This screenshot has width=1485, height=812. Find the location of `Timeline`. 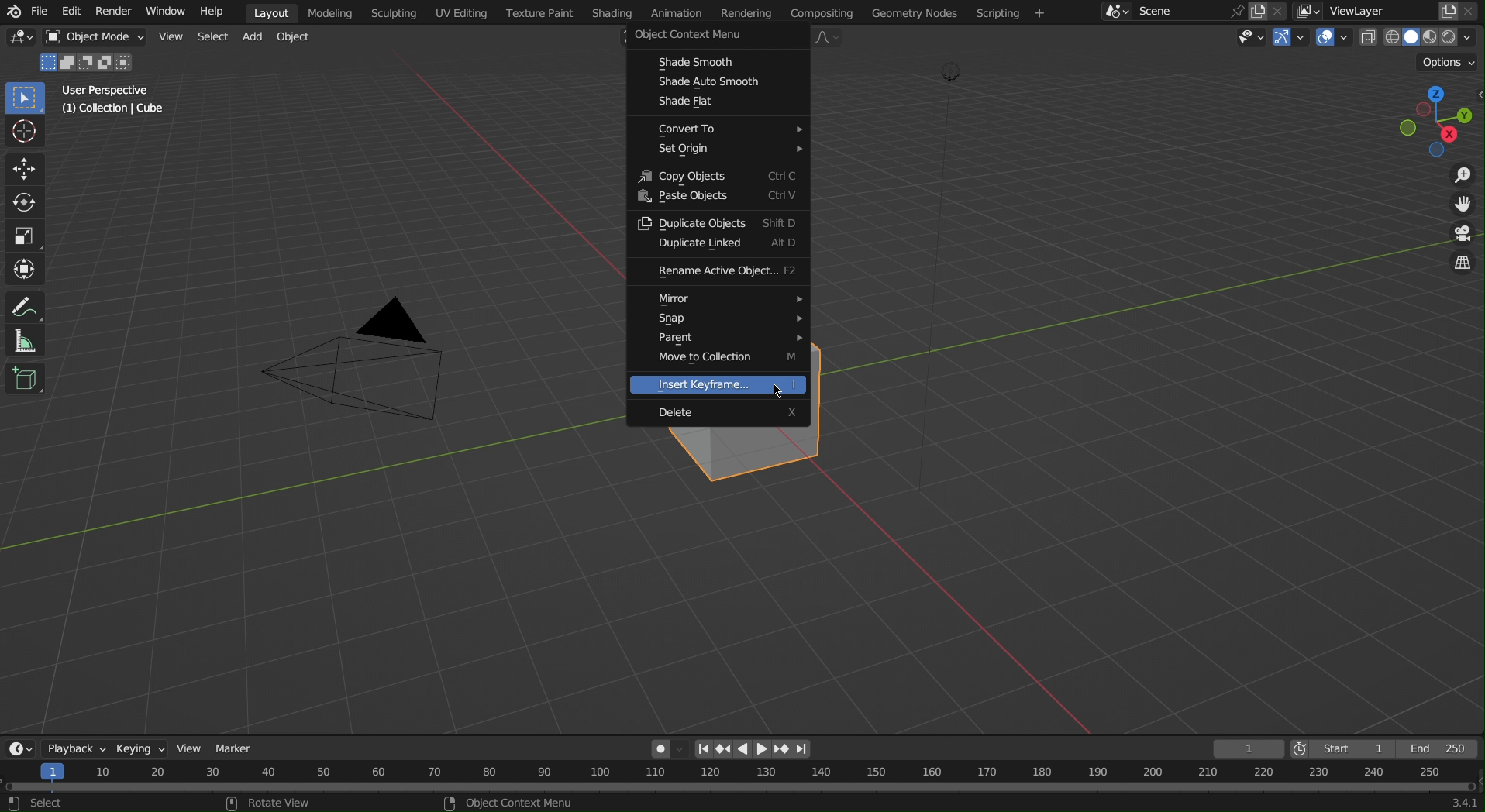

Timeline is located at coordinates (738, 777).